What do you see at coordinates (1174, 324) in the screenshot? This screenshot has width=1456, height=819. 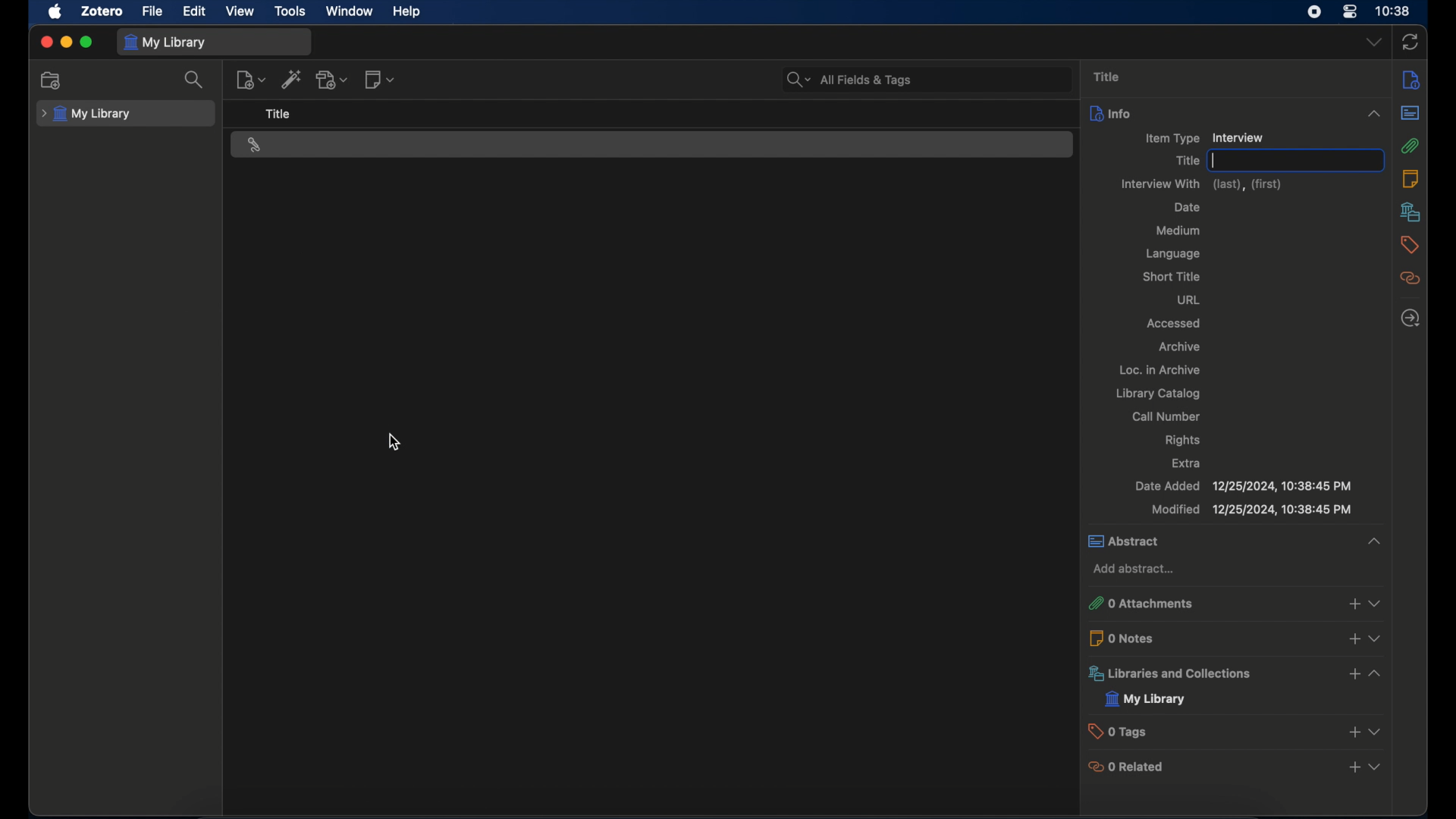 I see `accessed` at bounding box center [1174, 324].